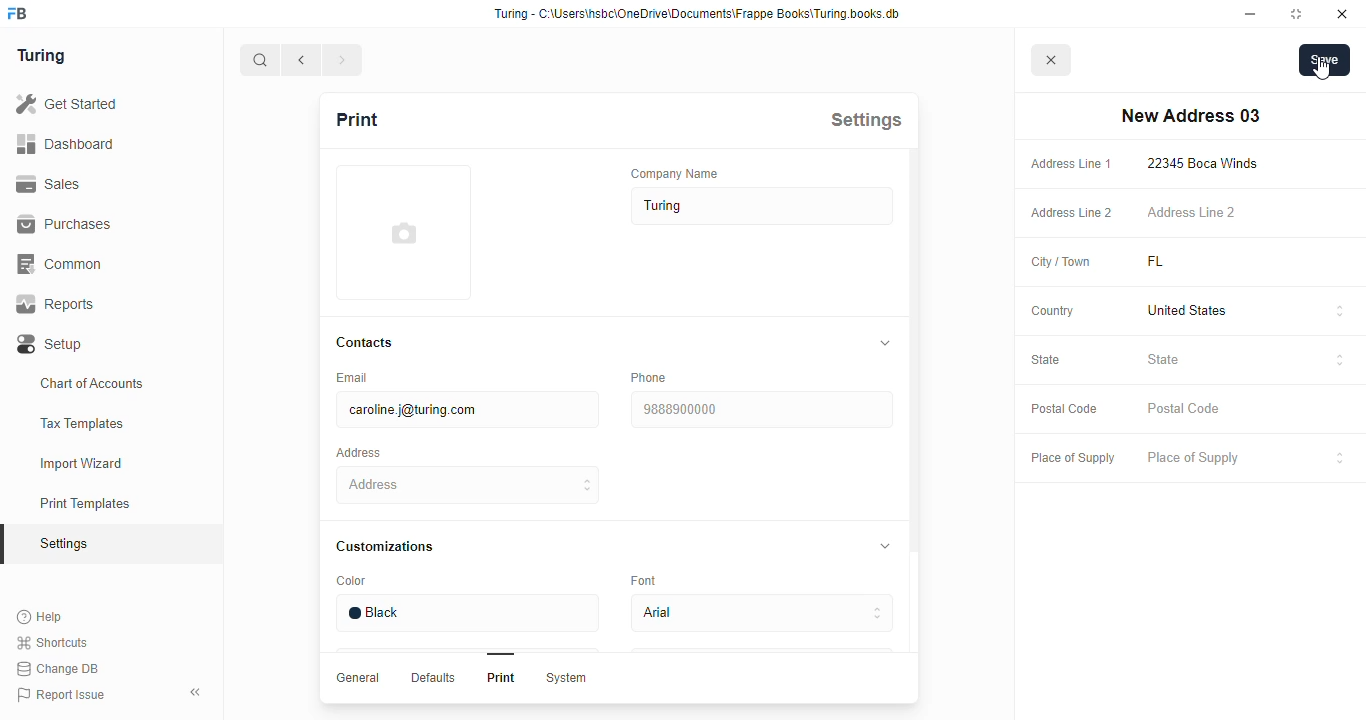  What do you see at coordinates (565, 678) in the screenshot?
I see `System` at bounding box center [565, 678].